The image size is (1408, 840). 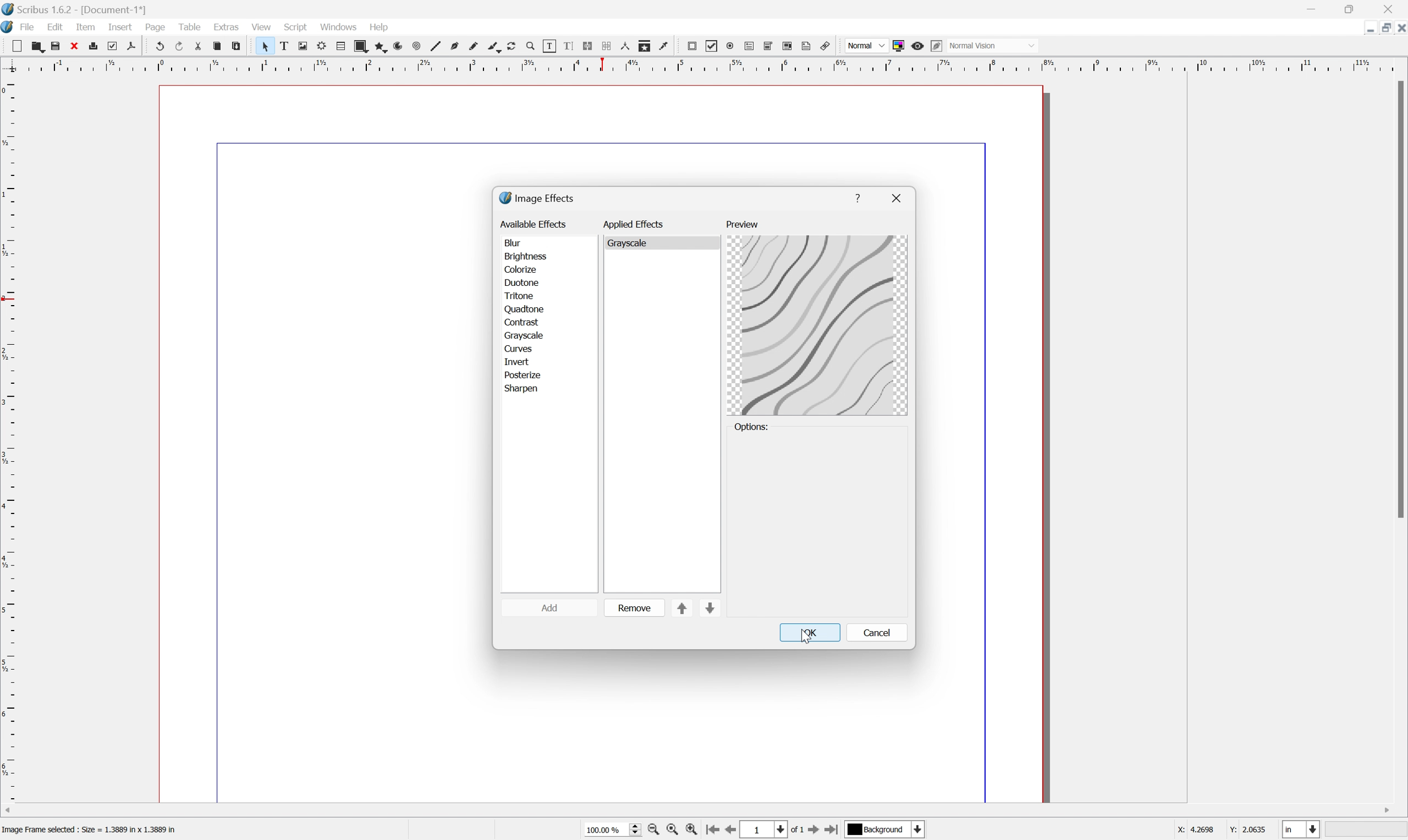 I want to click on preview, so click(x=741, y=224).